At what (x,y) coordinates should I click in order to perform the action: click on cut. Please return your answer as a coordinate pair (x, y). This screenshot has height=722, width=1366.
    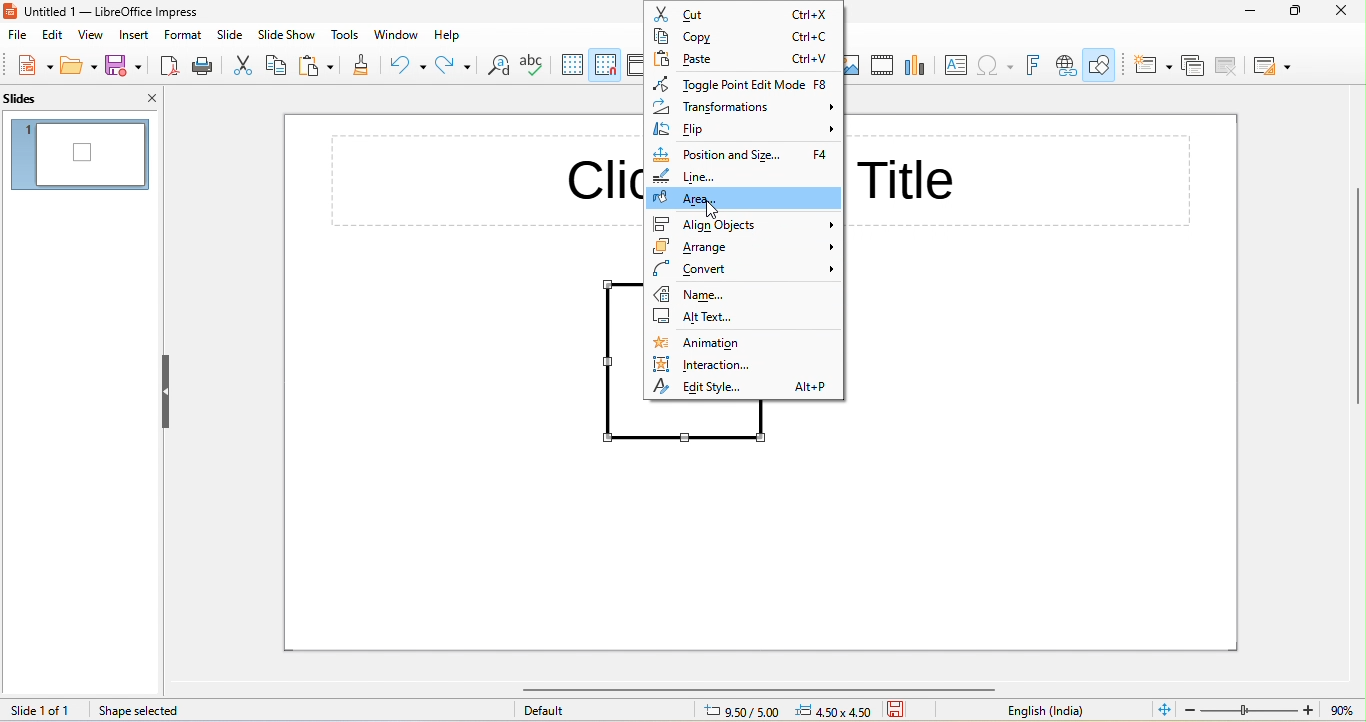
    Looking at the image, I should click on (699, 13).